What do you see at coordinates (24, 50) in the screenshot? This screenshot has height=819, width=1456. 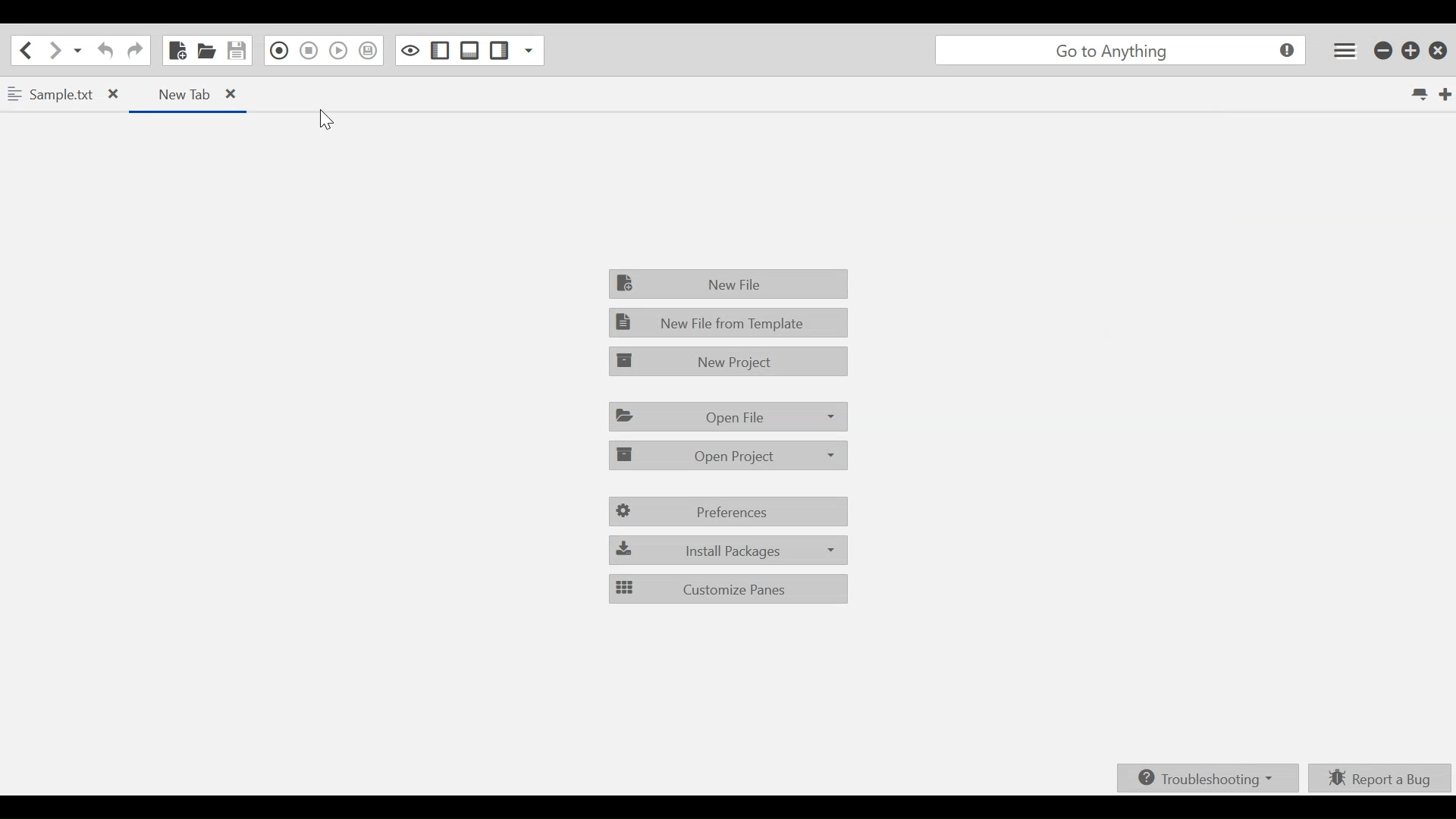 I see `Go Back on location` at bounding box center [24, 50].